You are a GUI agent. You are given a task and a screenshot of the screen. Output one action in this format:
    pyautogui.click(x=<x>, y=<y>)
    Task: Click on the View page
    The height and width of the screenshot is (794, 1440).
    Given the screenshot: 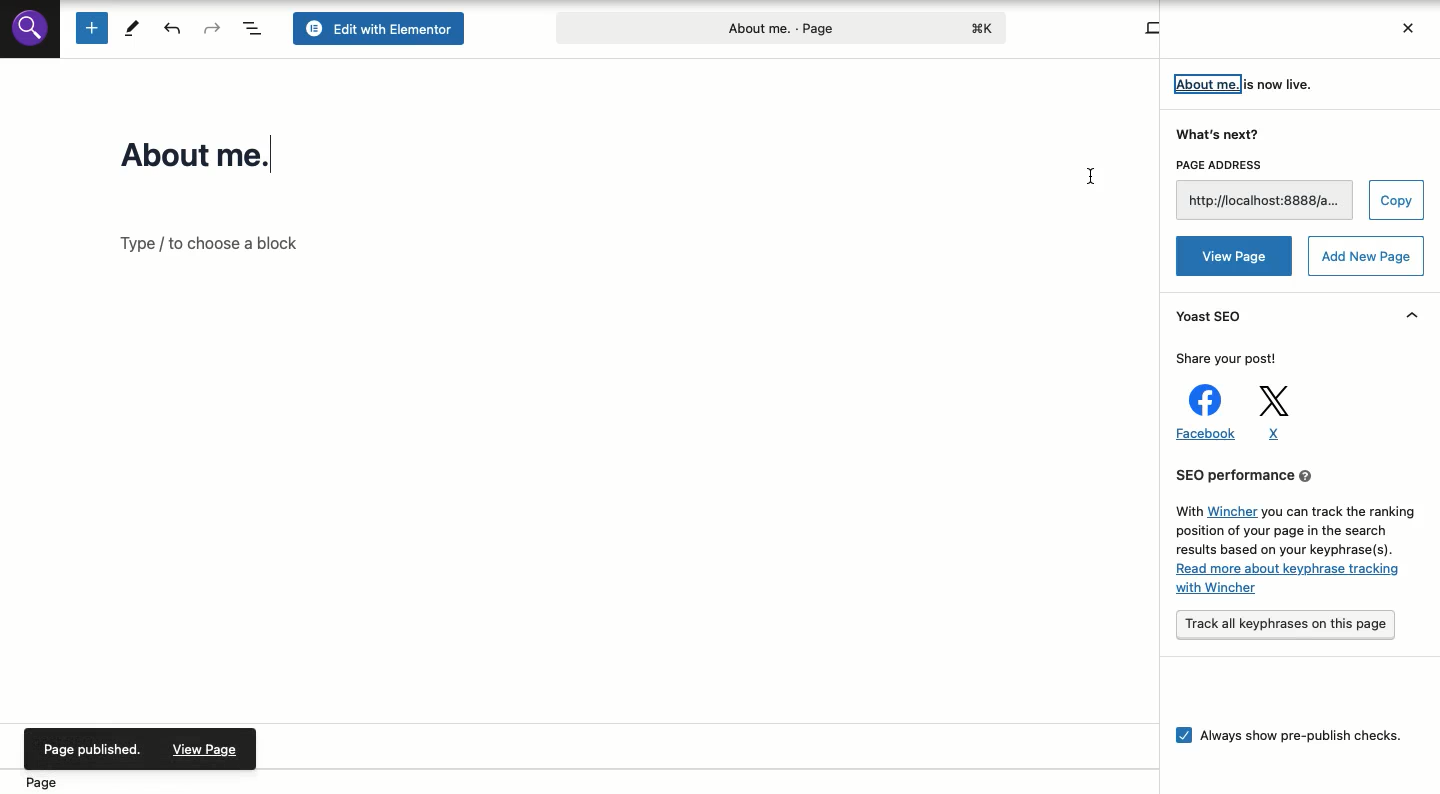 What is the action you would take?
    pyautogui.click(x=1232, y=255)
    